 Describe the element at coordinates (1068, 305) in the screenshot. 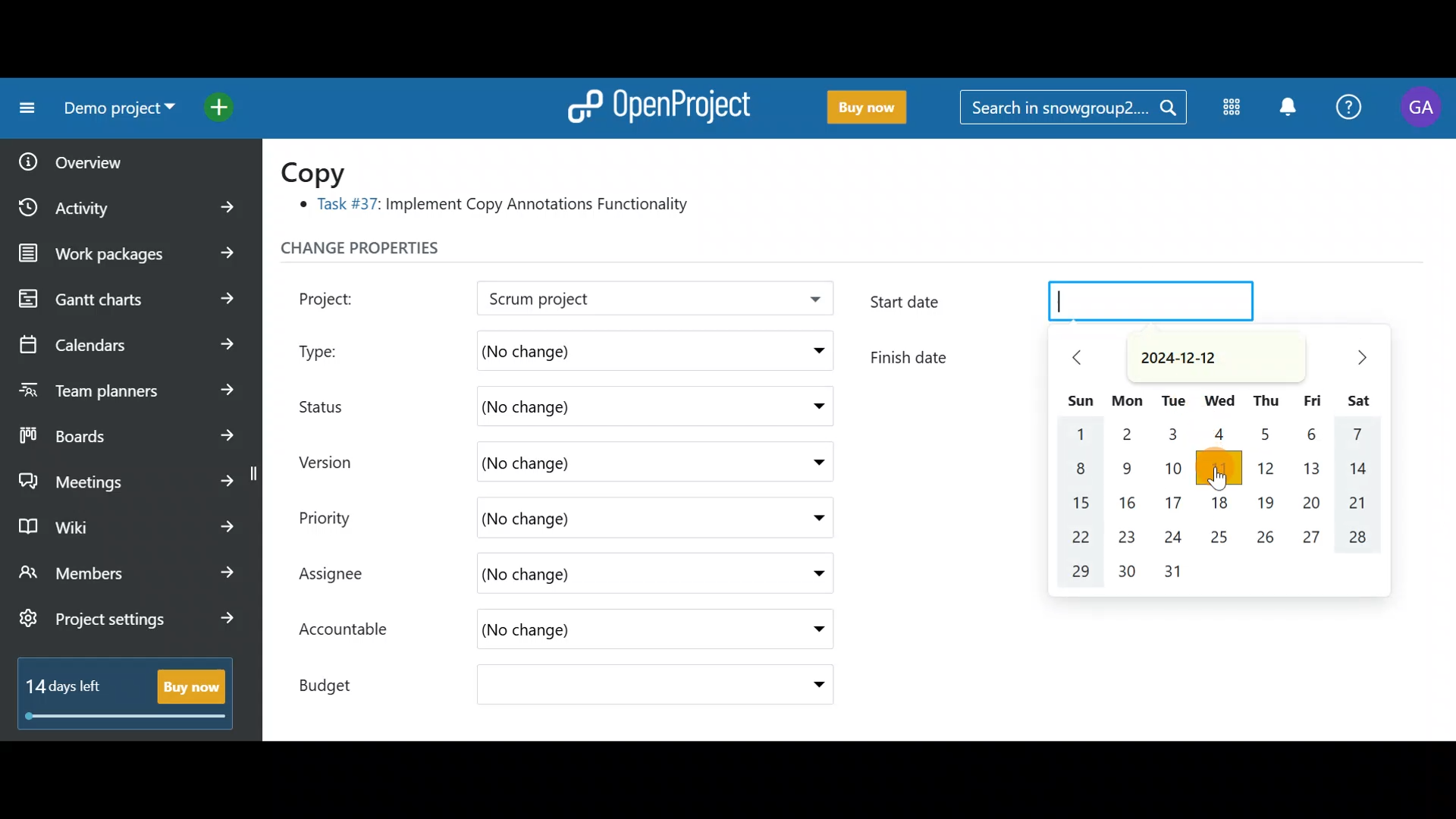

I see `Start date` at that location.